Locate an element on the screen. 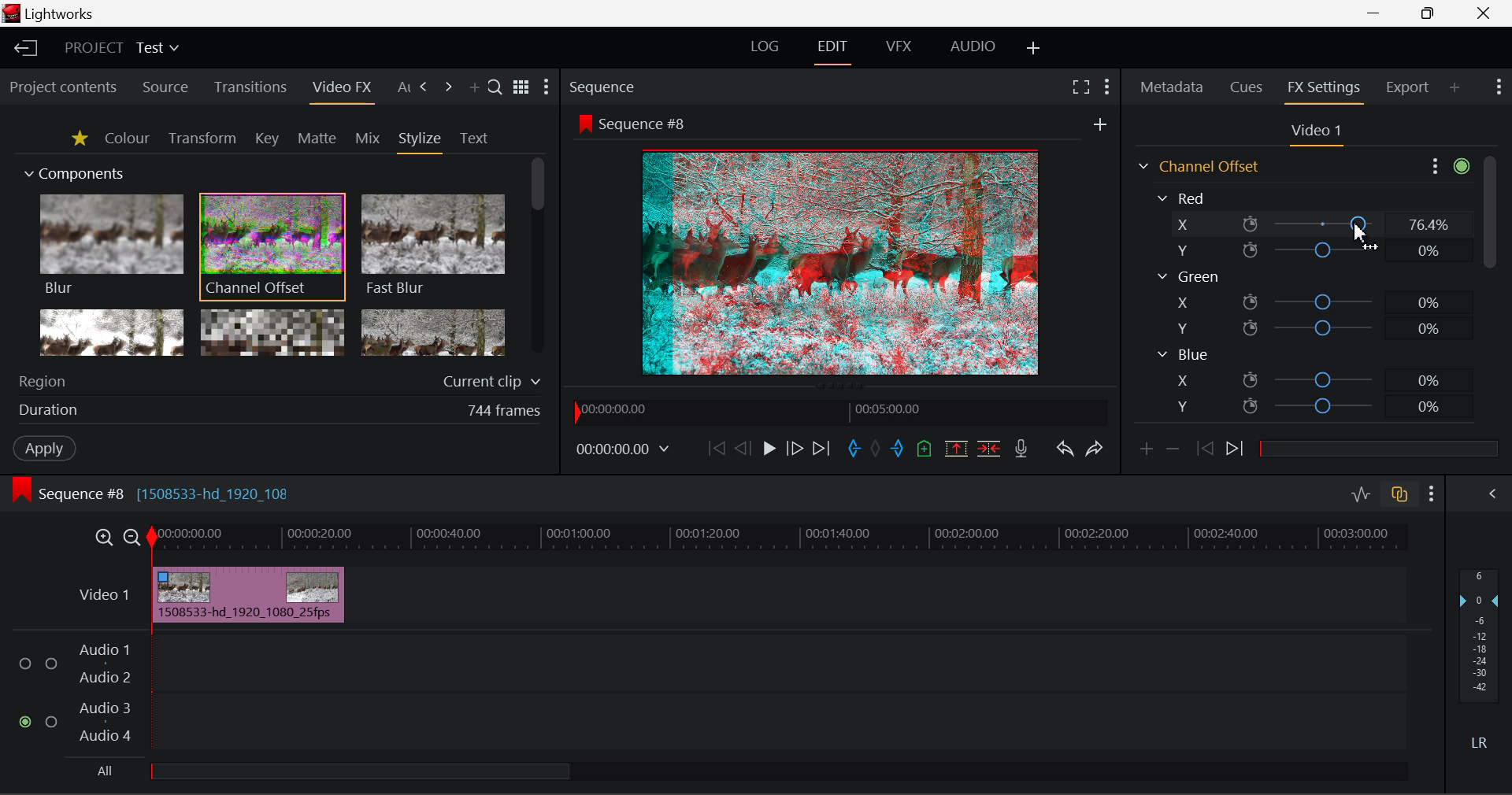  Window Title is located at coordinates (60, 14).